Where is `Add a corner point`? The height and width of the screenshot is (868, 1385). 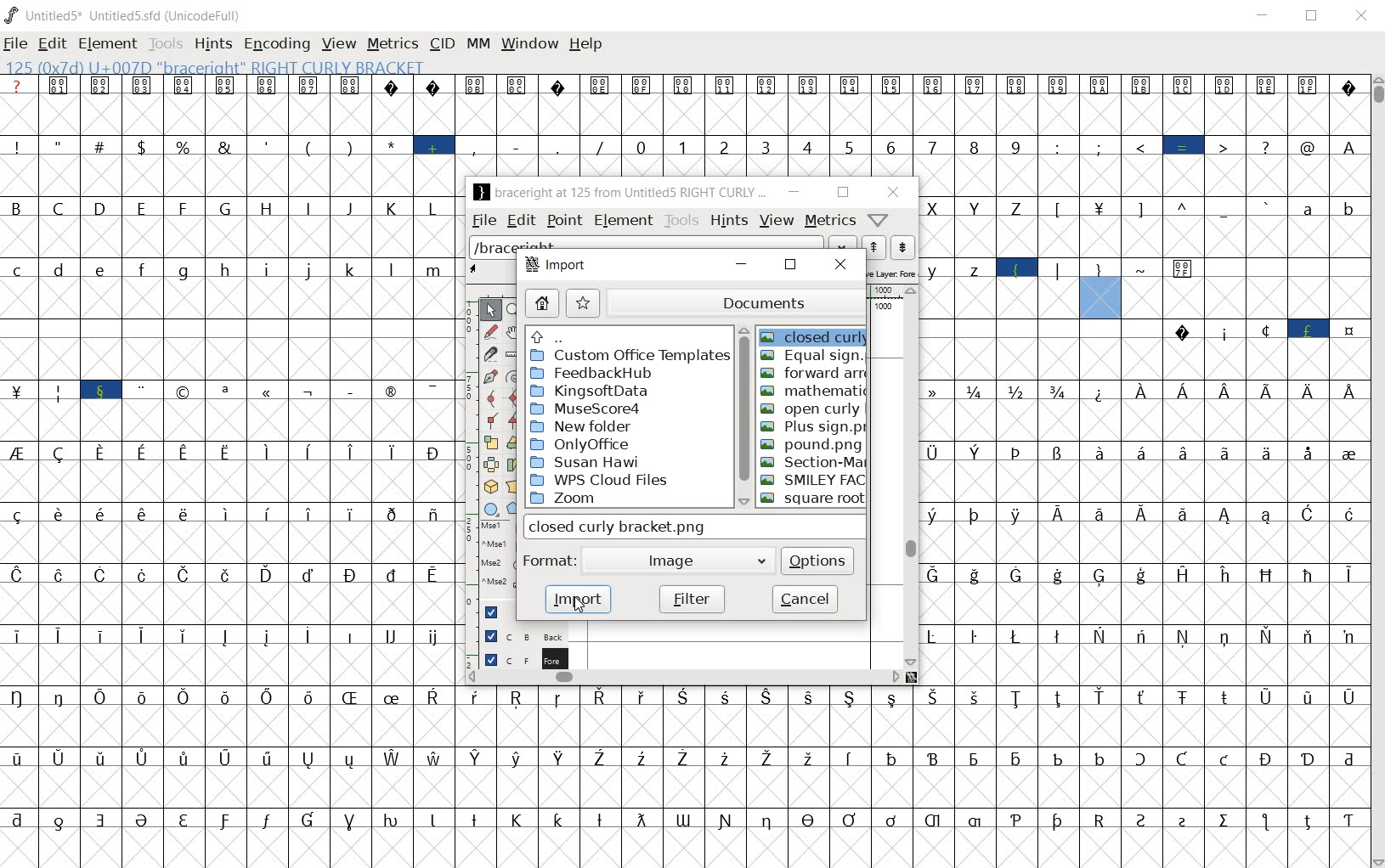
Add a corner point is located at coordinates (491, 420).